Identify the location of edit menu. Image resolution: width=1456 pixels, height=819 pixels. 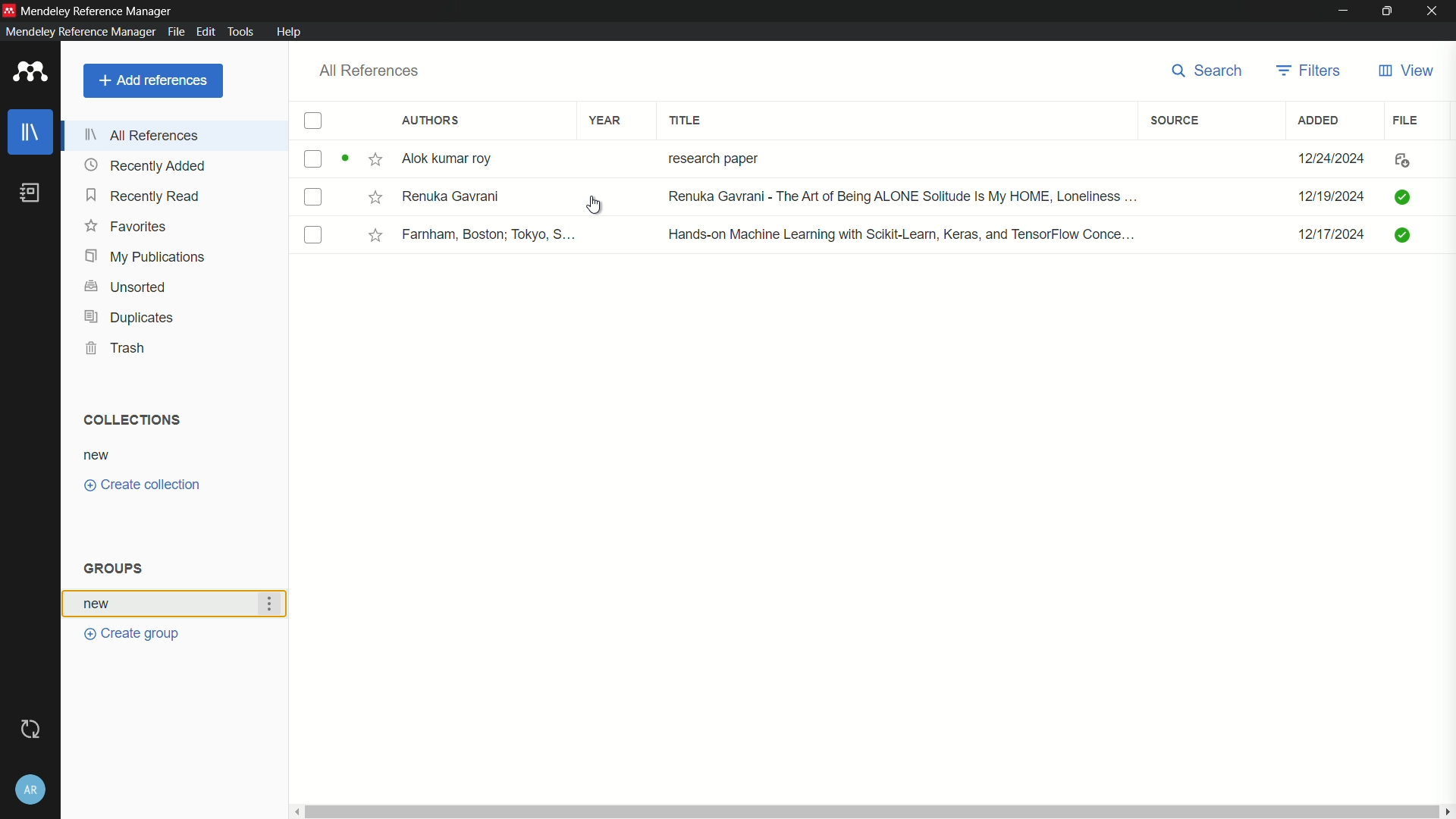
(205, 31).